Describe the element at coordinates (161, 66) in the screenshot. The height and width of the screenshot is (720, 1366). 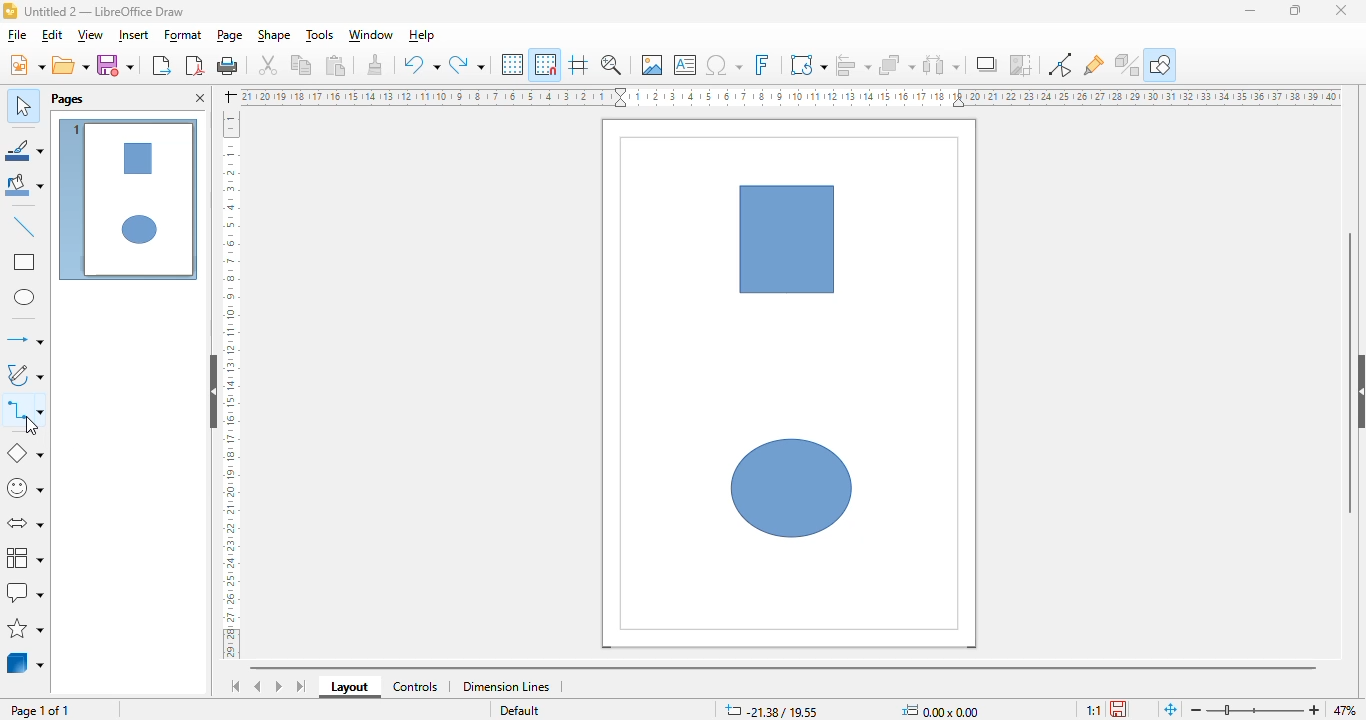
I see `export` at that location.